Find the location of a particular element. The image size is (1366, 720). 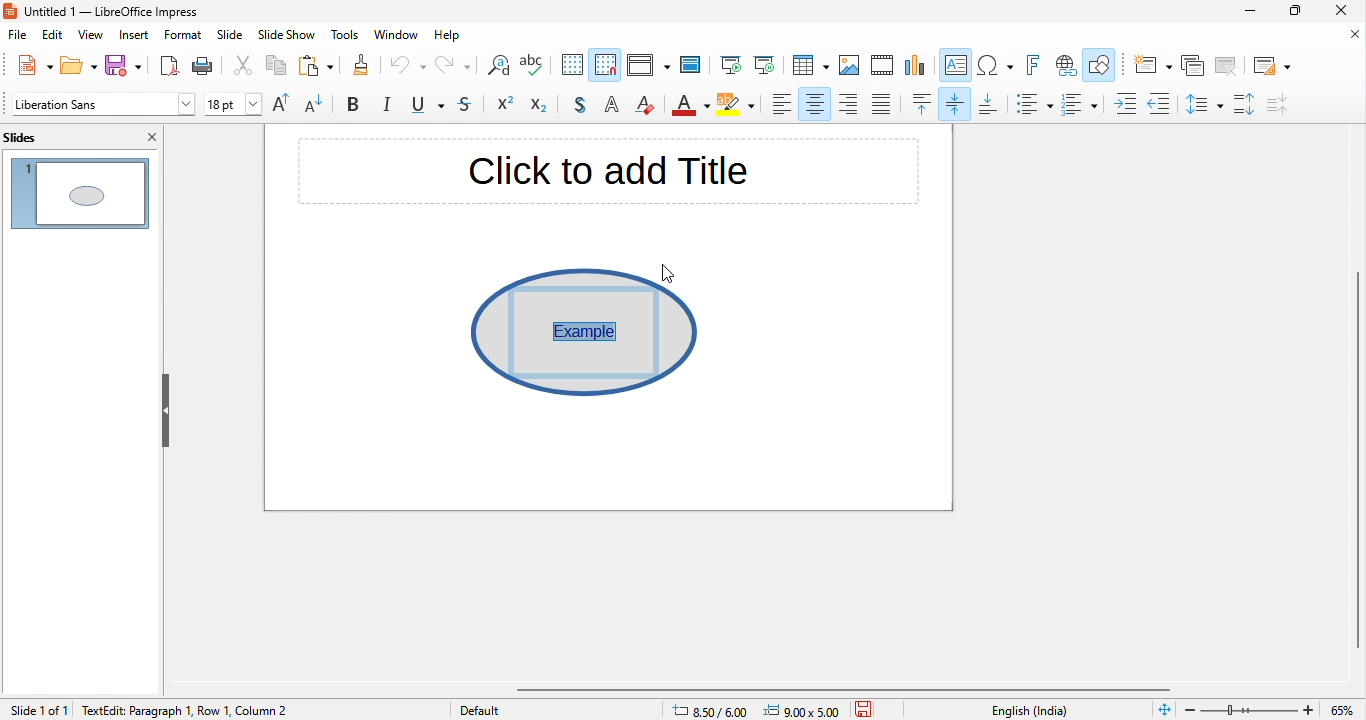

hide is located at coordinates (165, 410).